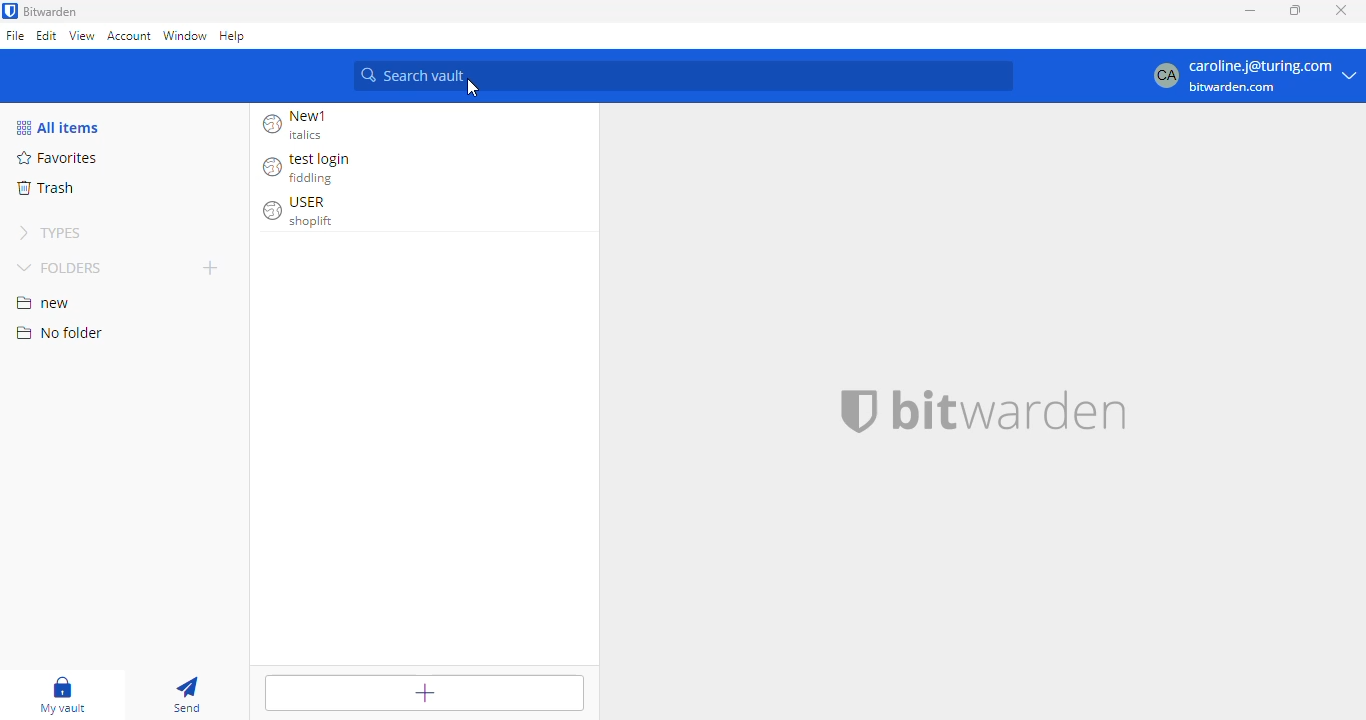 The image size is (1366, 720). What do you see at coordinates (60, 332) in the screenshot?
I see `no folder` at bounding box center [60, 332].